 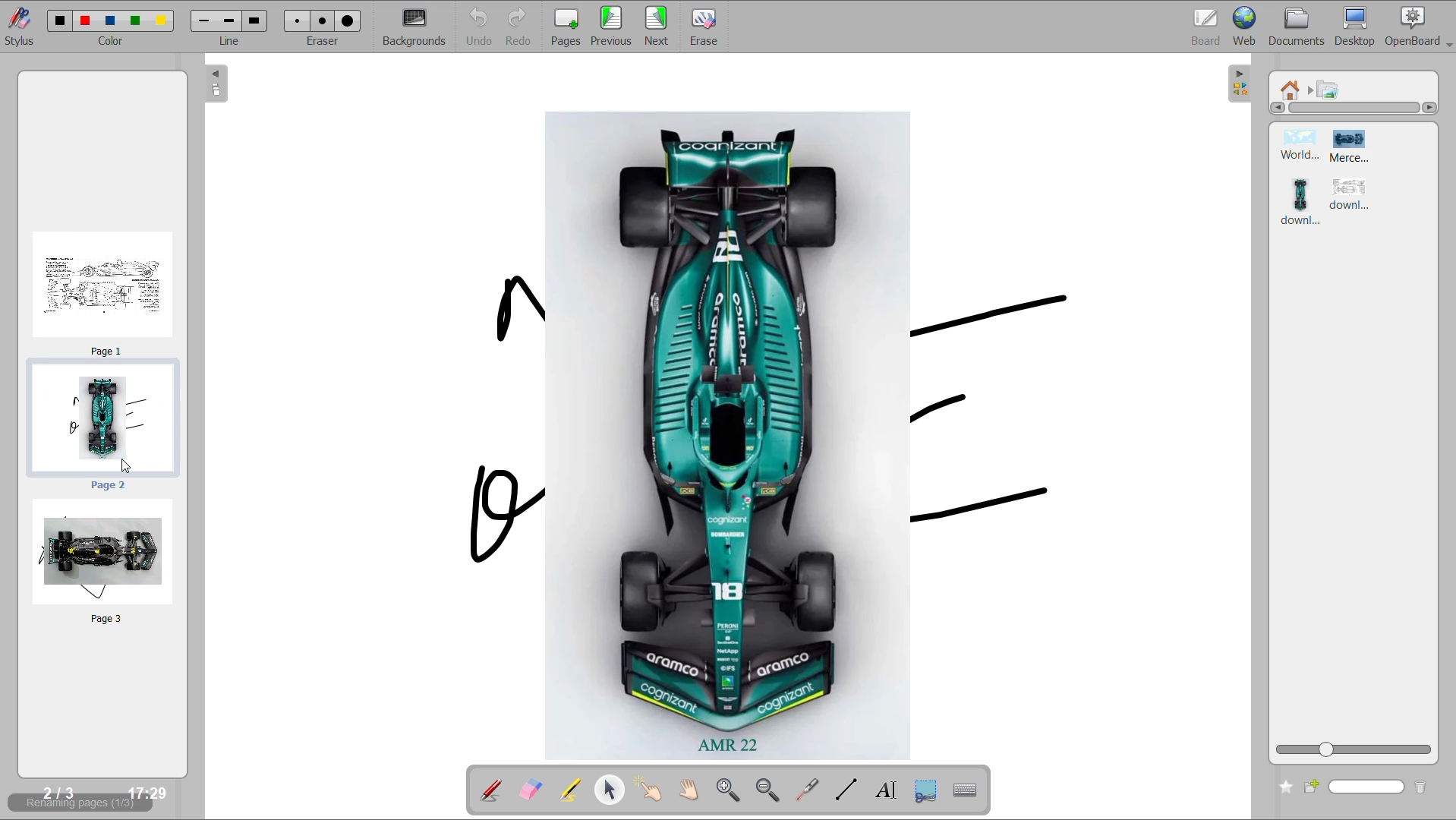 I want to click on image 3, so click(x=1299, y=203).